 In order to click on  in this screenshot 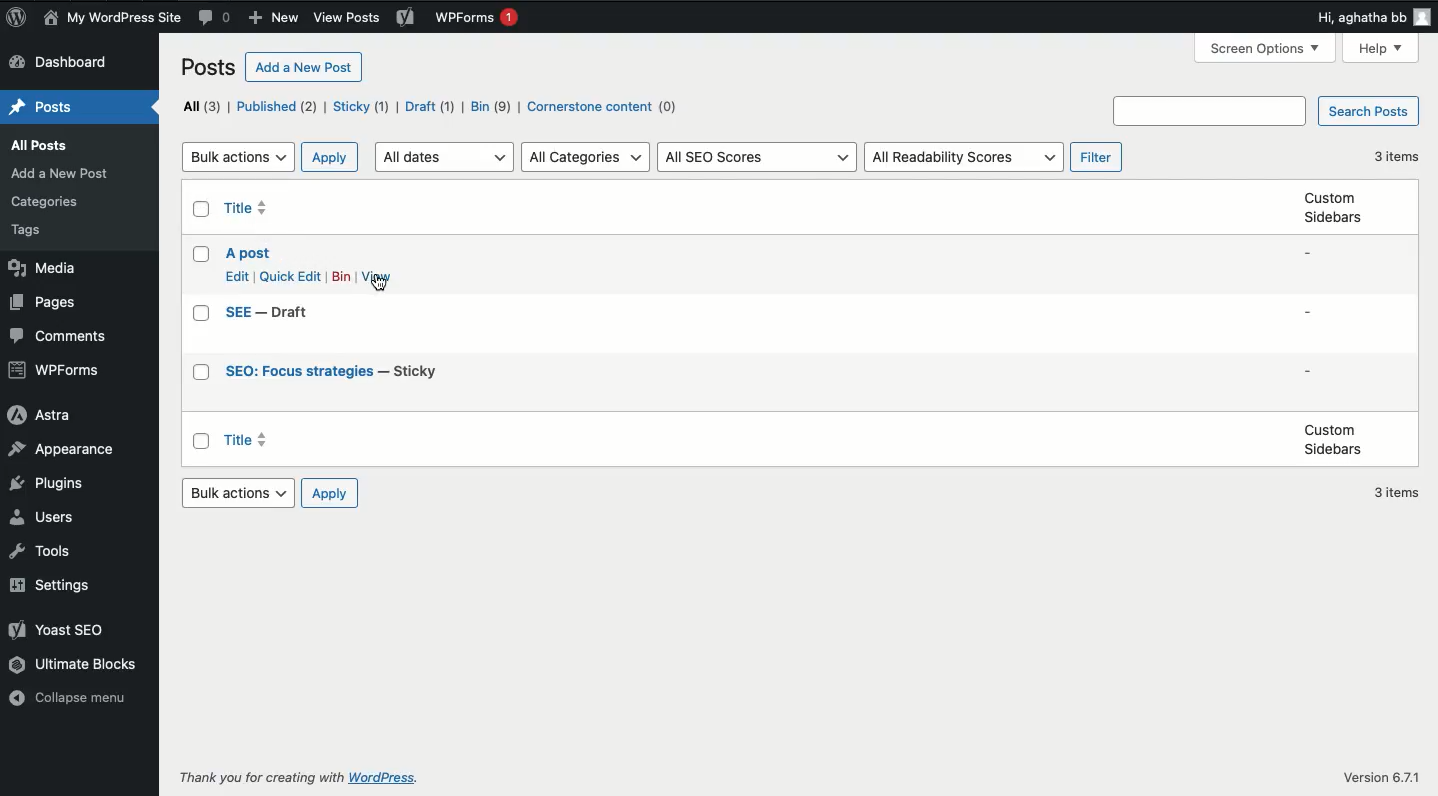, I will do `click(345, 19)`.